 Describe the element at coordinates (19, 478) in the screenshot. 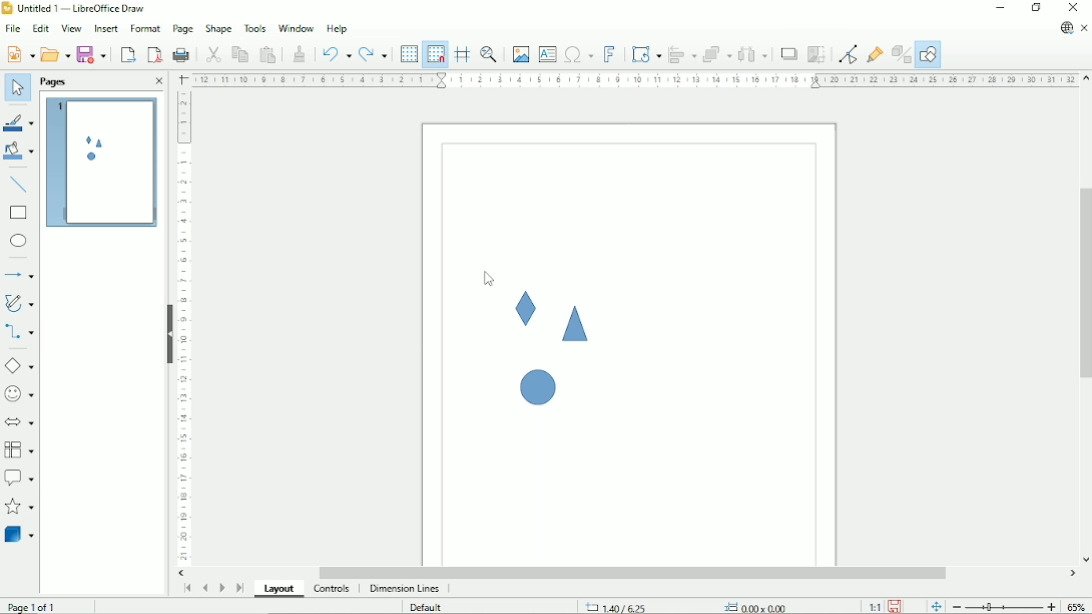

I see `Callout` at that location.